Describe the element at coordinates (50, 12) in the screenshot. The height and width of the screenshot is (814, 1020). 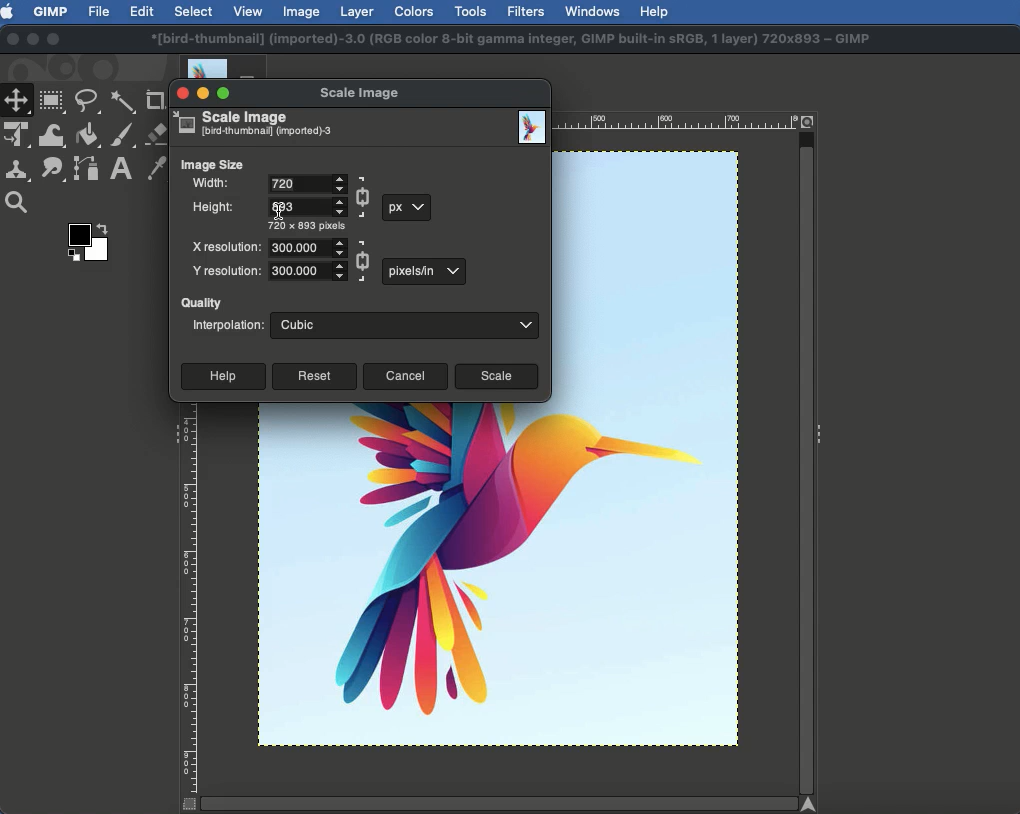
I see `GIMP` at that location.